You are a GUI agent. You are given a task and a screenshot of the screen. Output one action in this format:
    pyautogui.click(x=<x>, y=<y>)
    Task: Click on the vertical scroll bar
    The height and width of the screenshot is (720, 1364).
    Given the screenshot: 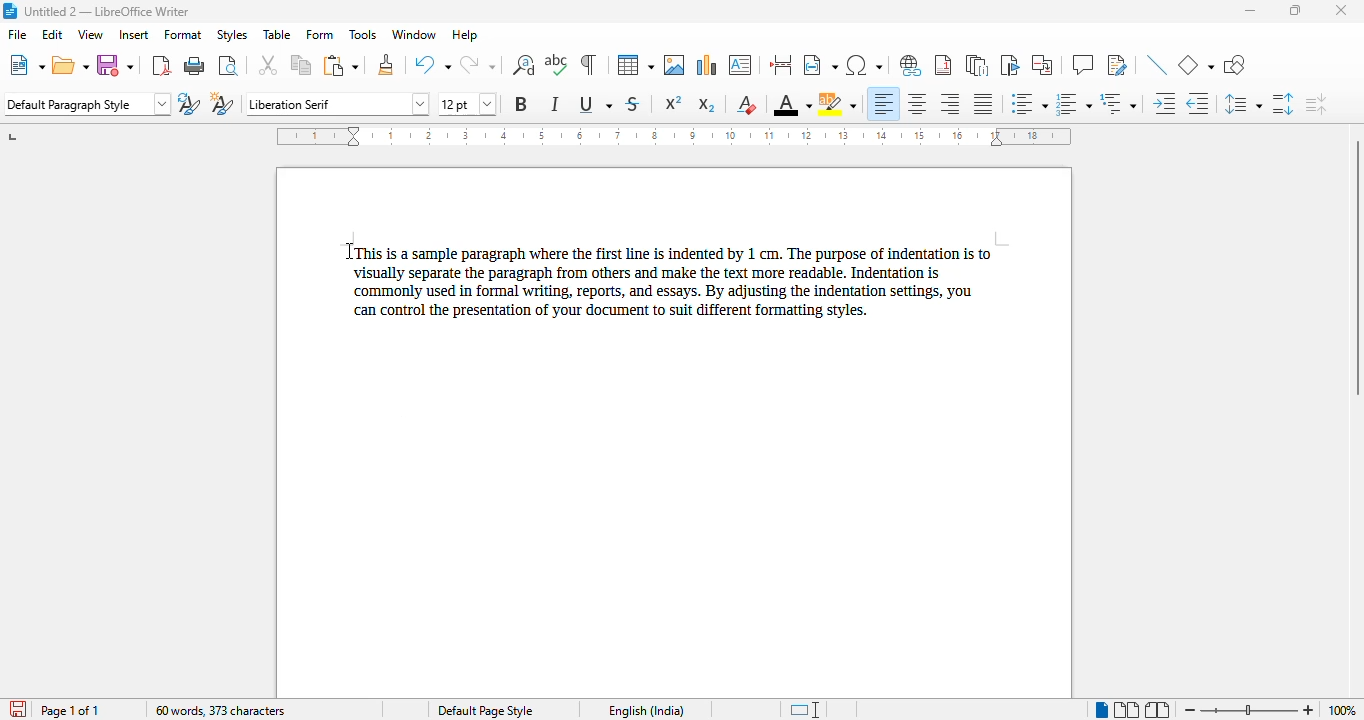 What is the action you would take?
    pyautogui.click(x=1355, y=267)
    